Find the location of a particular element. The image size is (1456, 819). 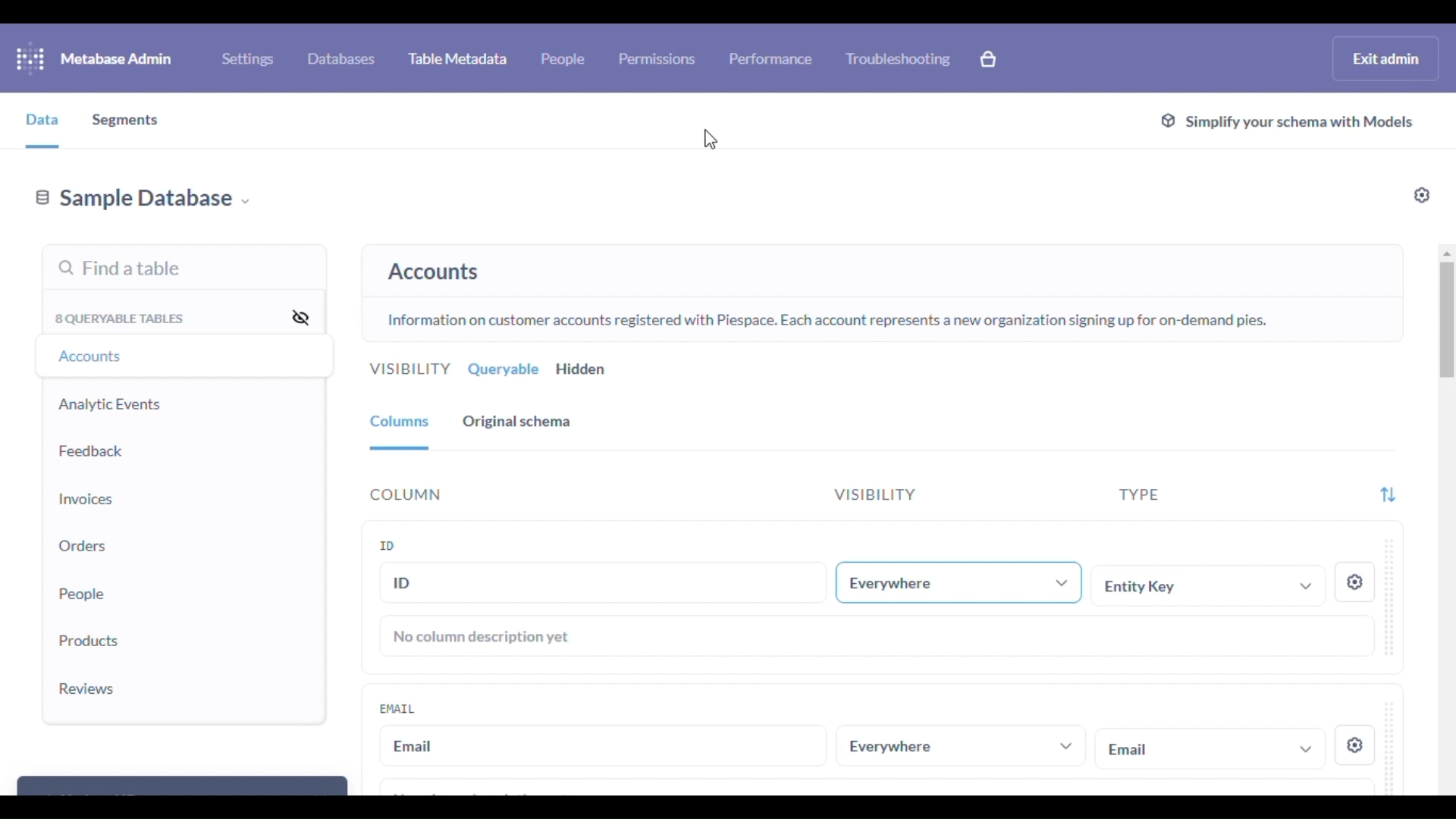

sample database is located at coordinates (143, 200).